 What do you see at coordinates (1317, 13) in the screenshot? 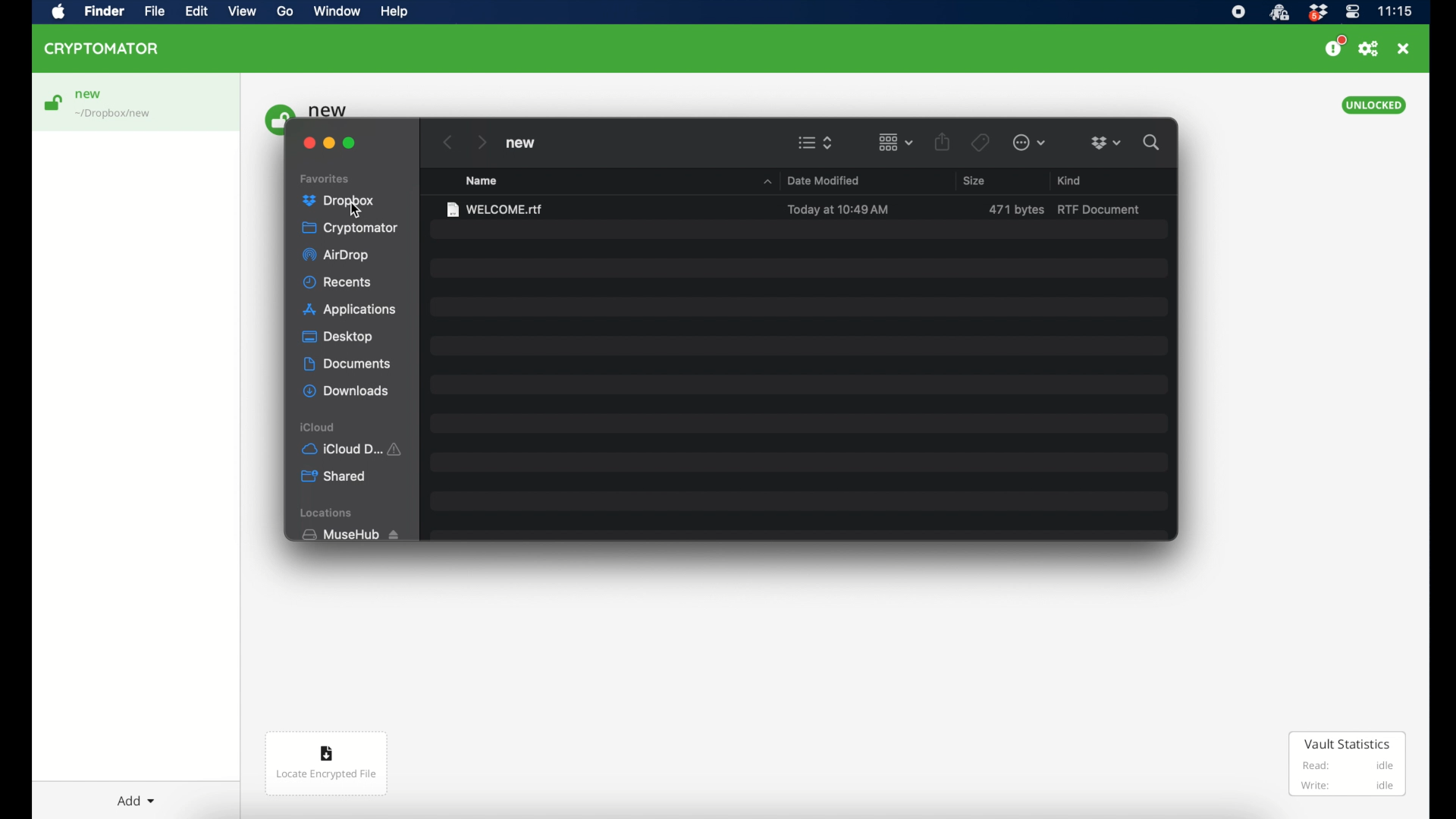
I see `dropbox` at bounding box center [1317, 13].